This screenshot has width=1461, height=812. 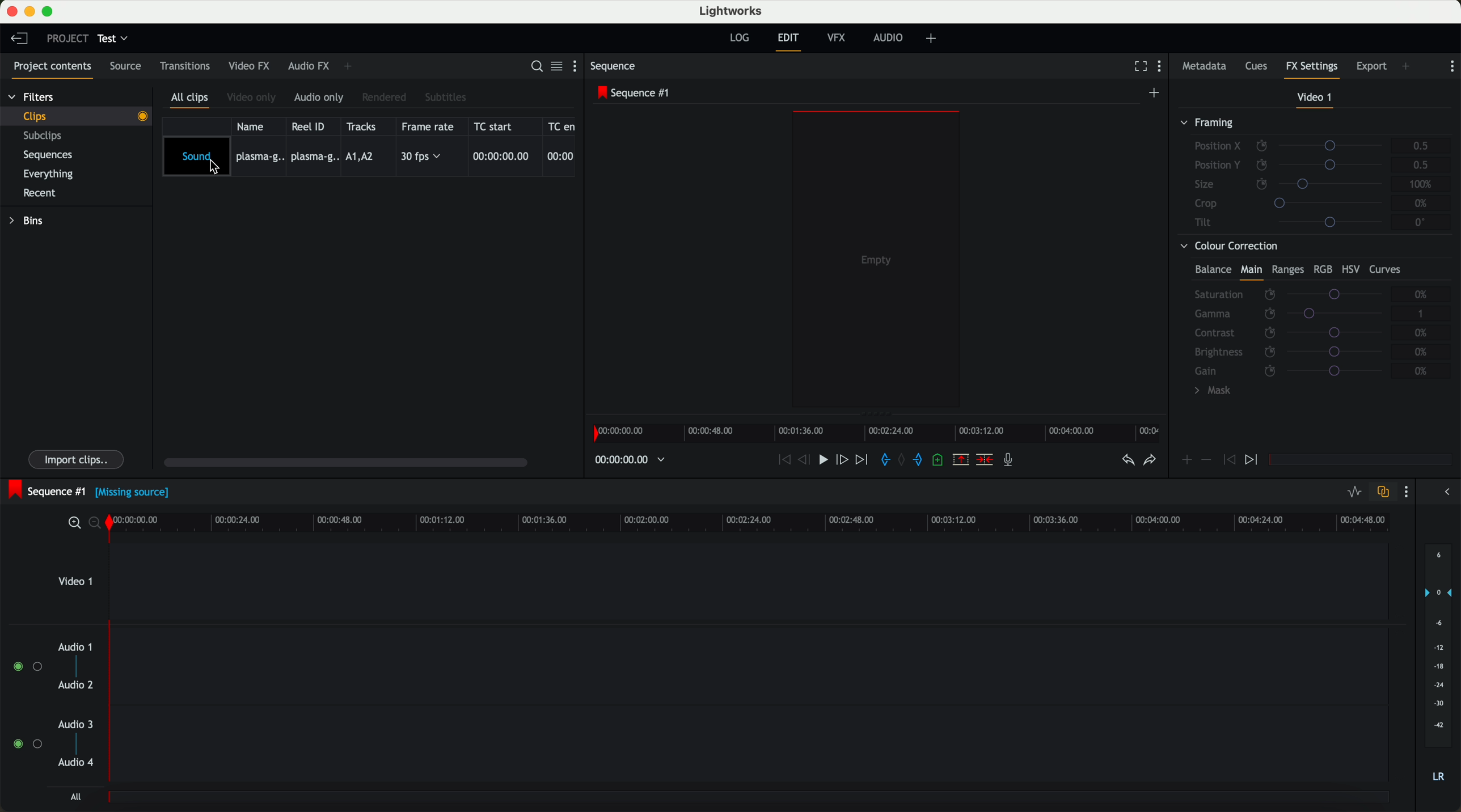 I want to click on zoom in, so click(x=74, y=523).